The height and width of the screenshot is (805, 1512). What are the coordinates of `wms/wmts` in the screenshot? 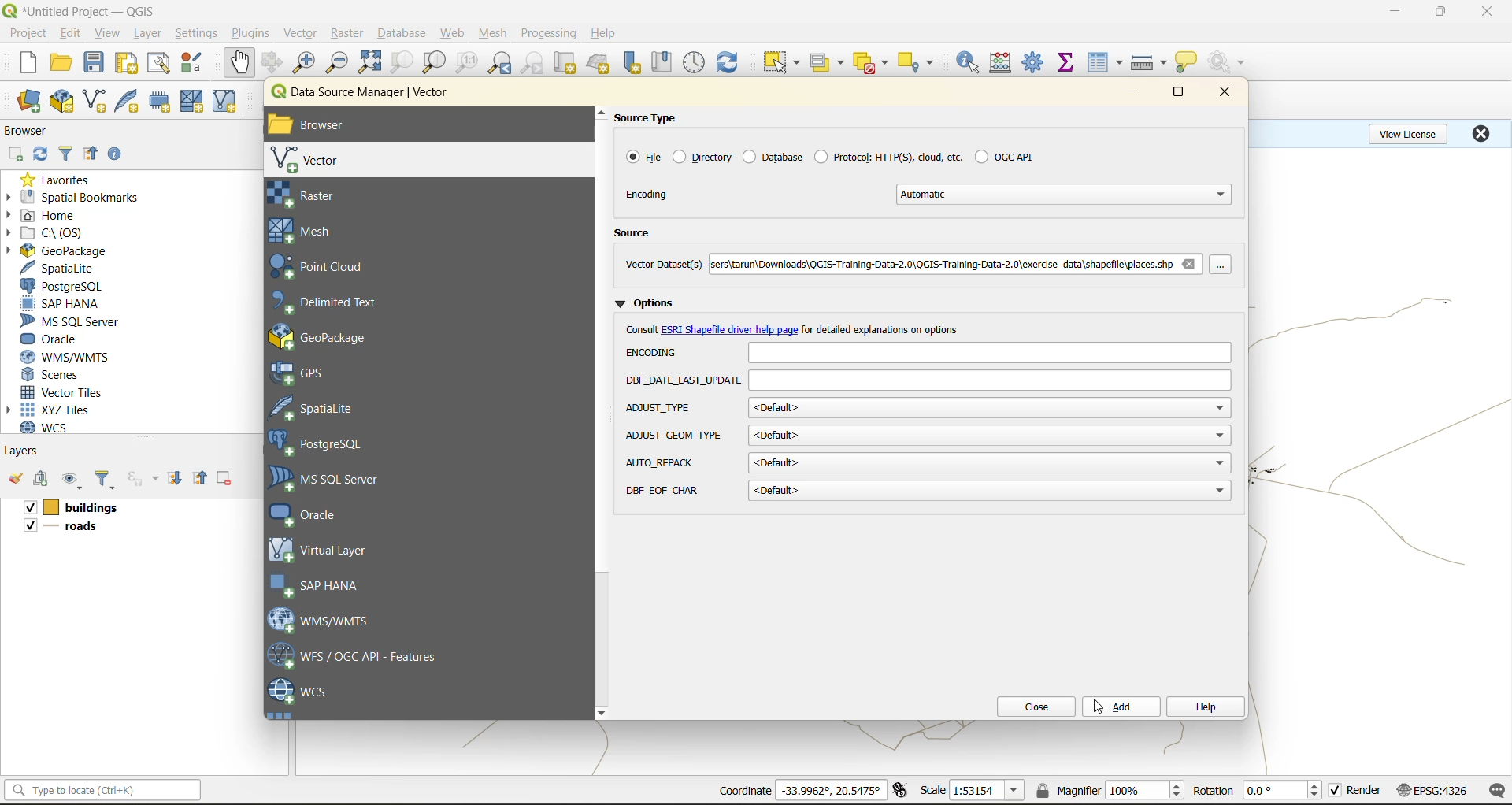 It's located at (71, 357).